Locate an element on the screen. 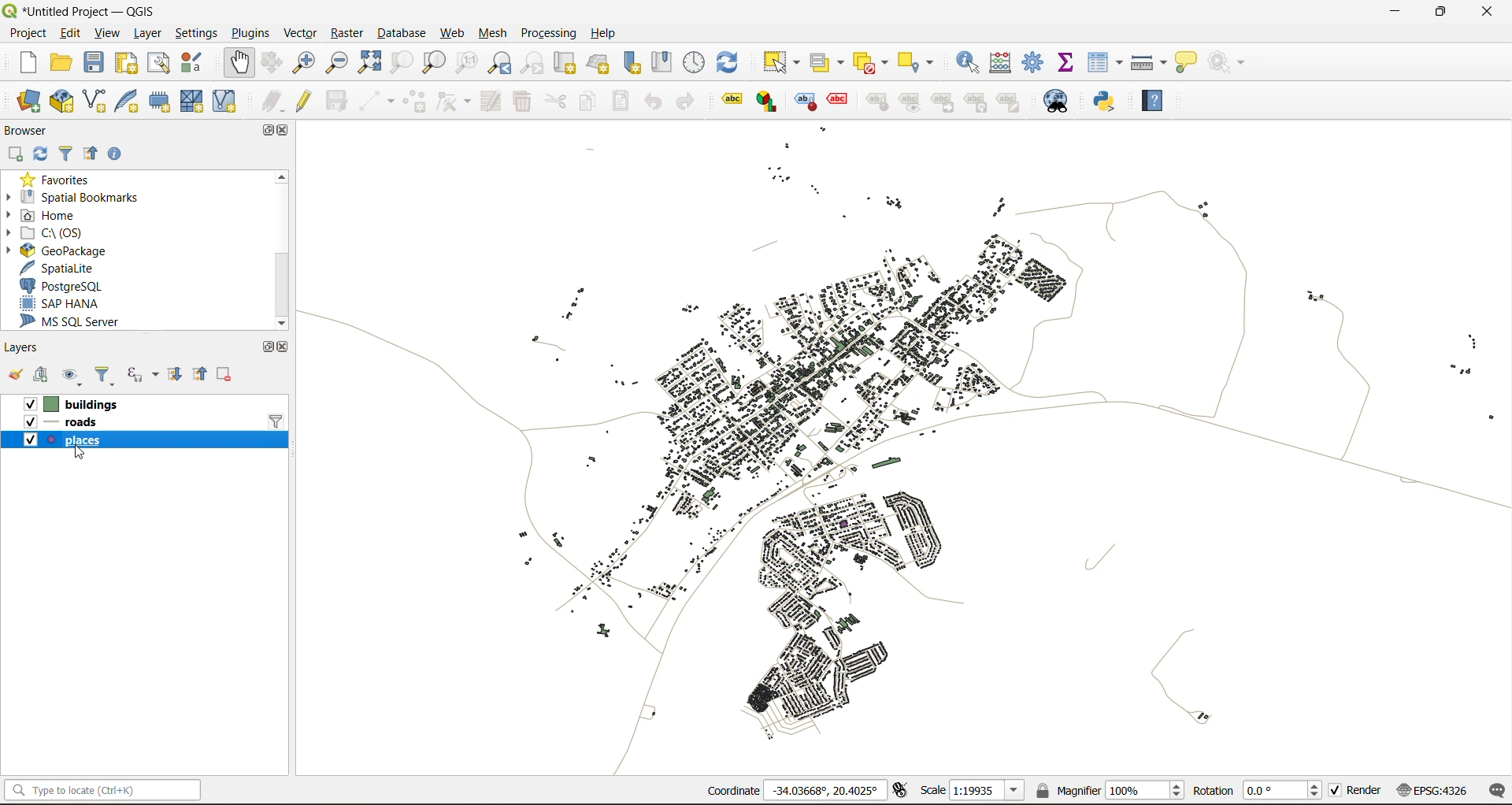 The width and height of the screenshot is (1512, 805). new mesh is located at coordinates (191, 101).